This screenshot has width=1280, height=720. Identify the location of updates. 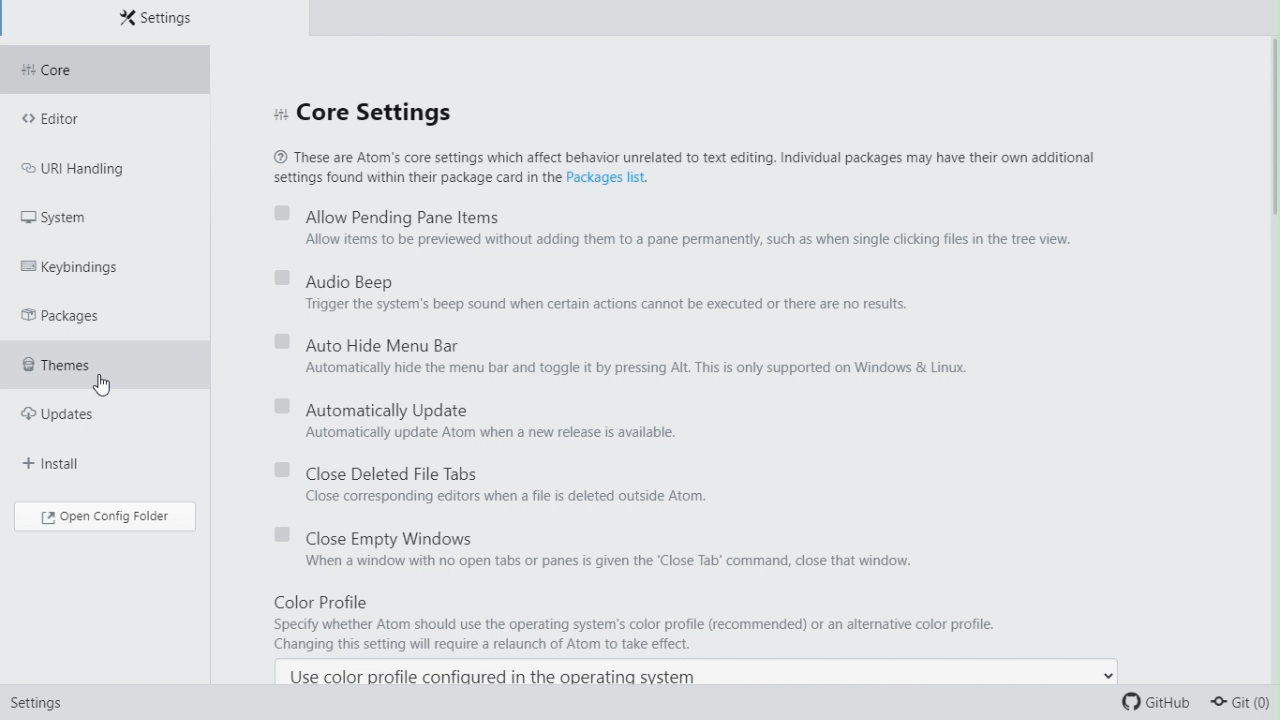
(92, 407).